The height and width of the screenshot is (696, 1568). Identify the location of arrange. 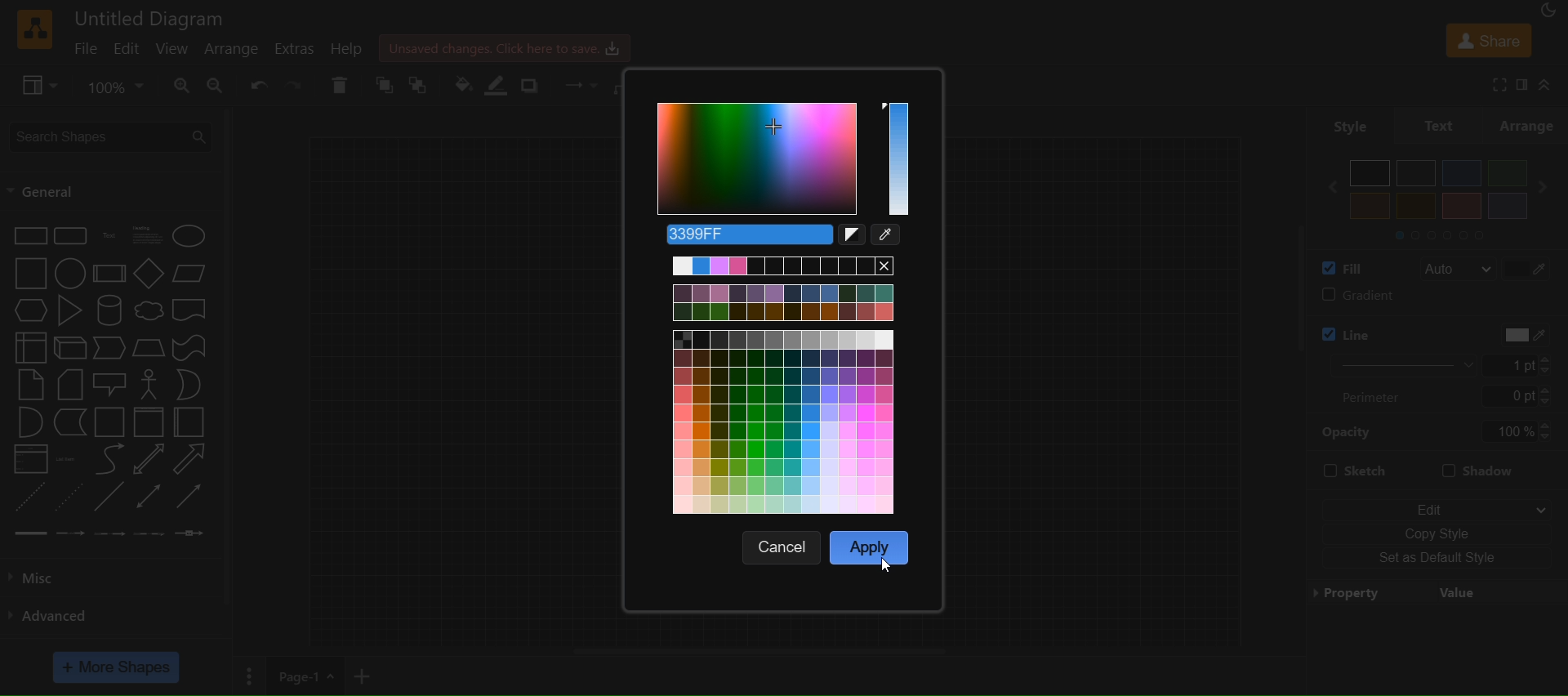
(236, 50).